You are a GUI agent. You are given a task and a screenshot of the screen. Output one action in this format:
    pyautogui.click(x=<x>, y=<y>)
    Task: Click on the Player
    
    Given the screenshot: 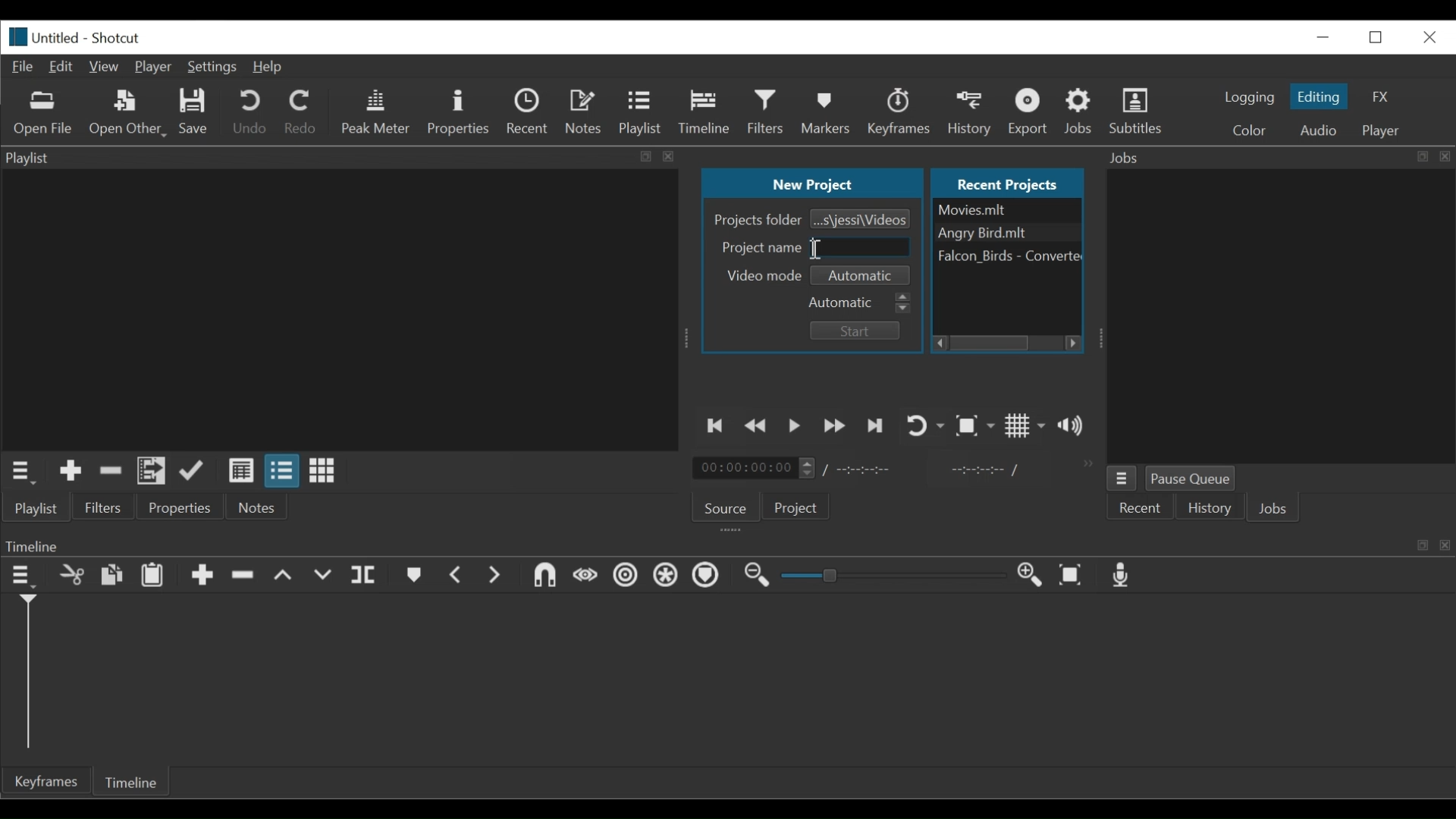 What is the action you would take?
    pyautogui.click(x=1380, y=132)
    